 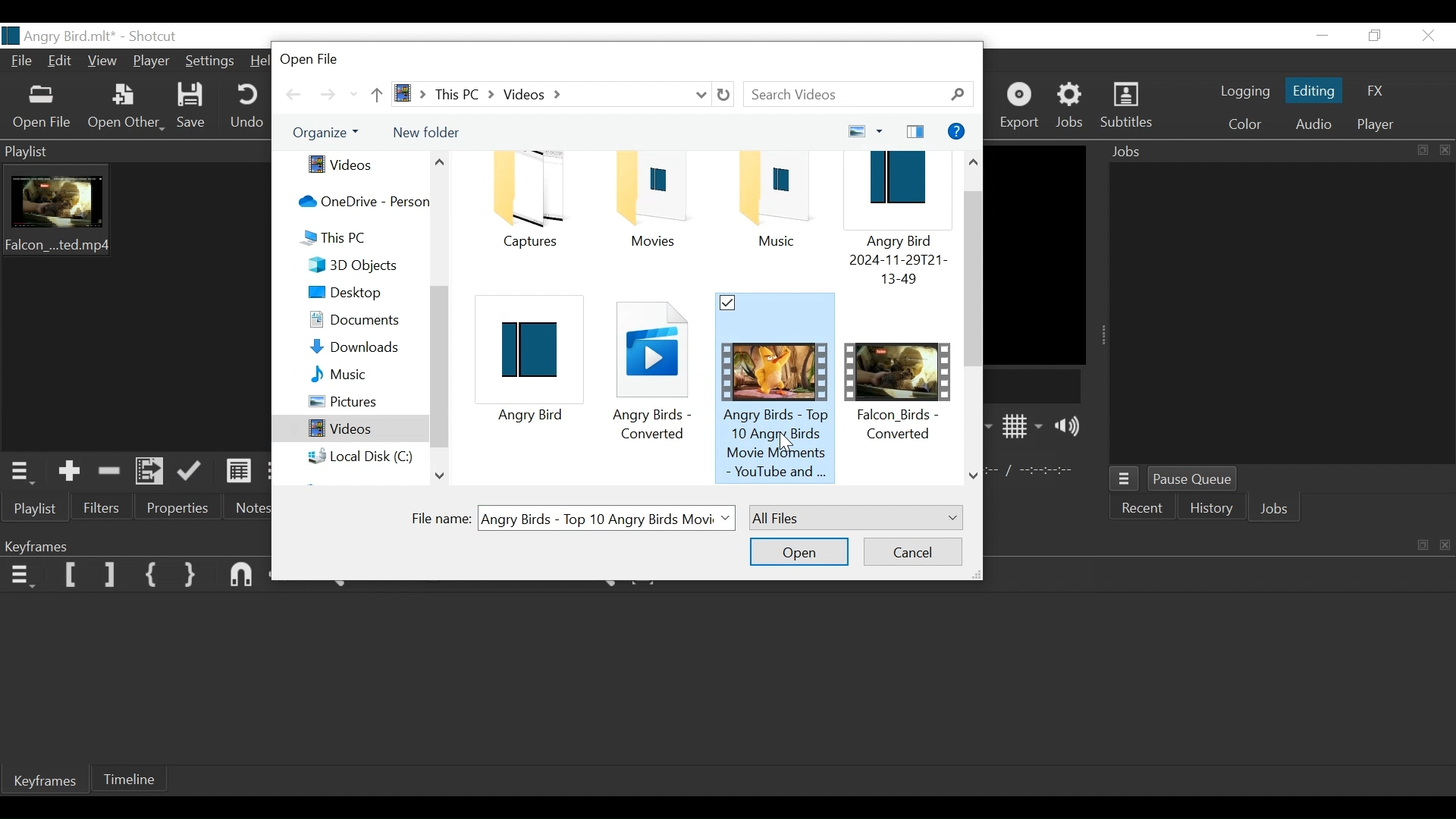 What do you see at coordinates (1070, 105) in the screenshot?
I see `Jobs` at bounding box center [1070, 105].